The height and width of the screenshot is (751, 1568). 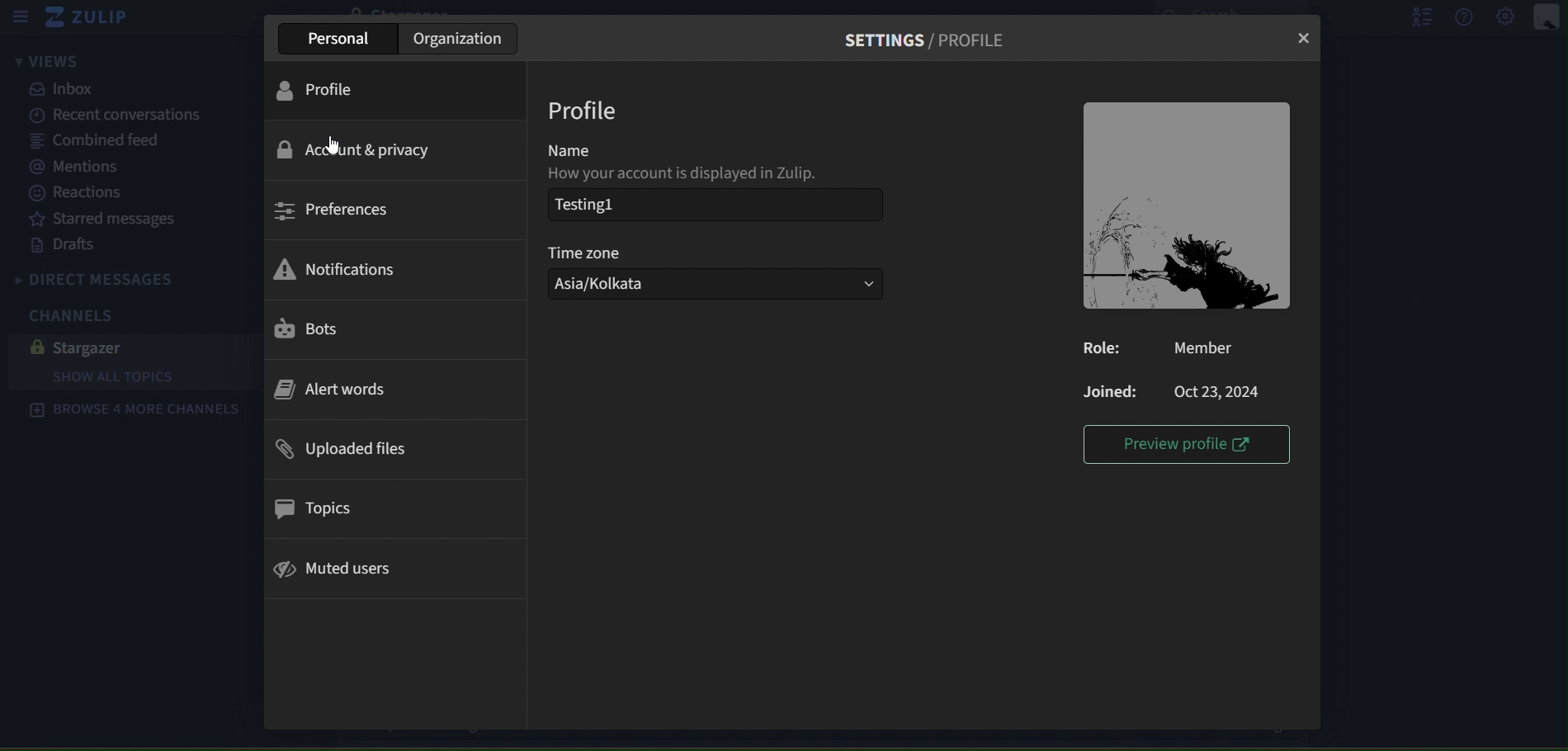 I want to click on time zone, so click(x=589, y=251).